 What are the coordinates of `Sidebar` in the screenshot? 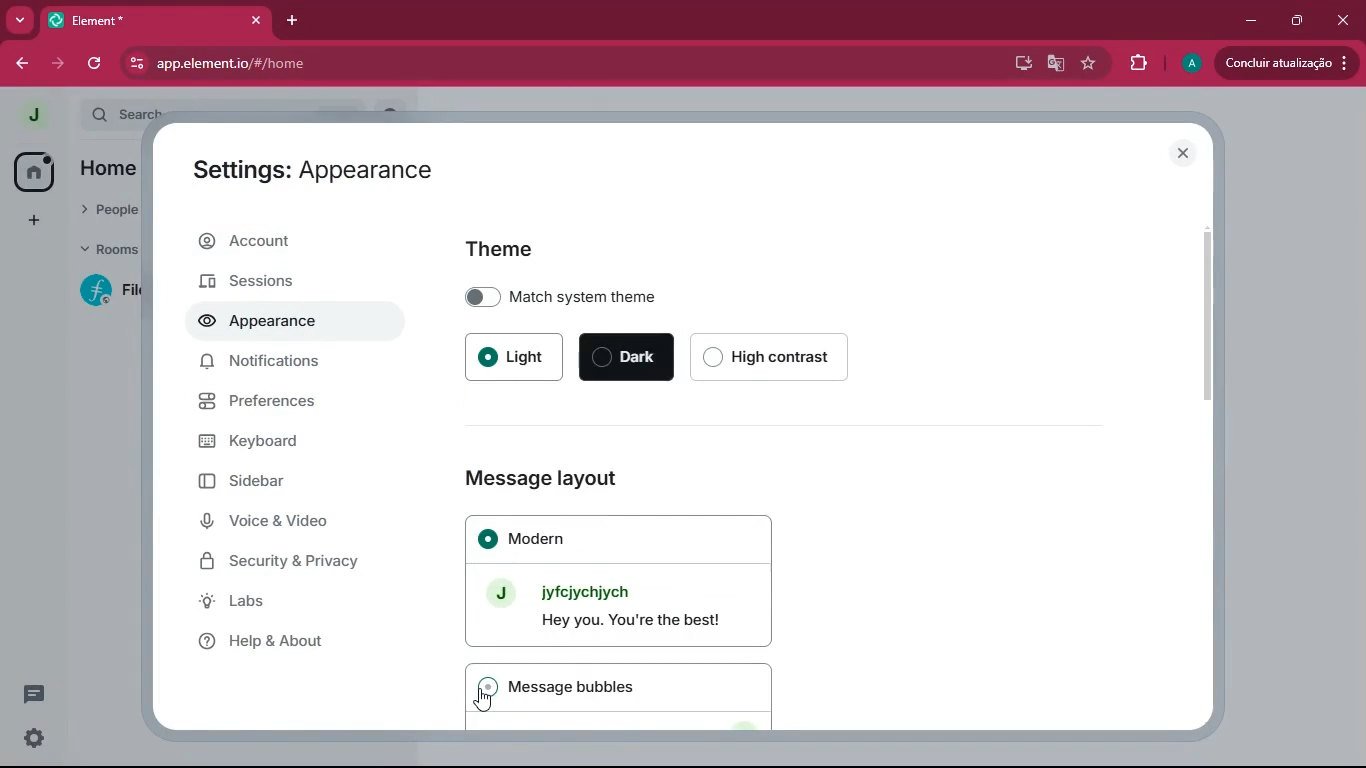 It's located at (258, 478).